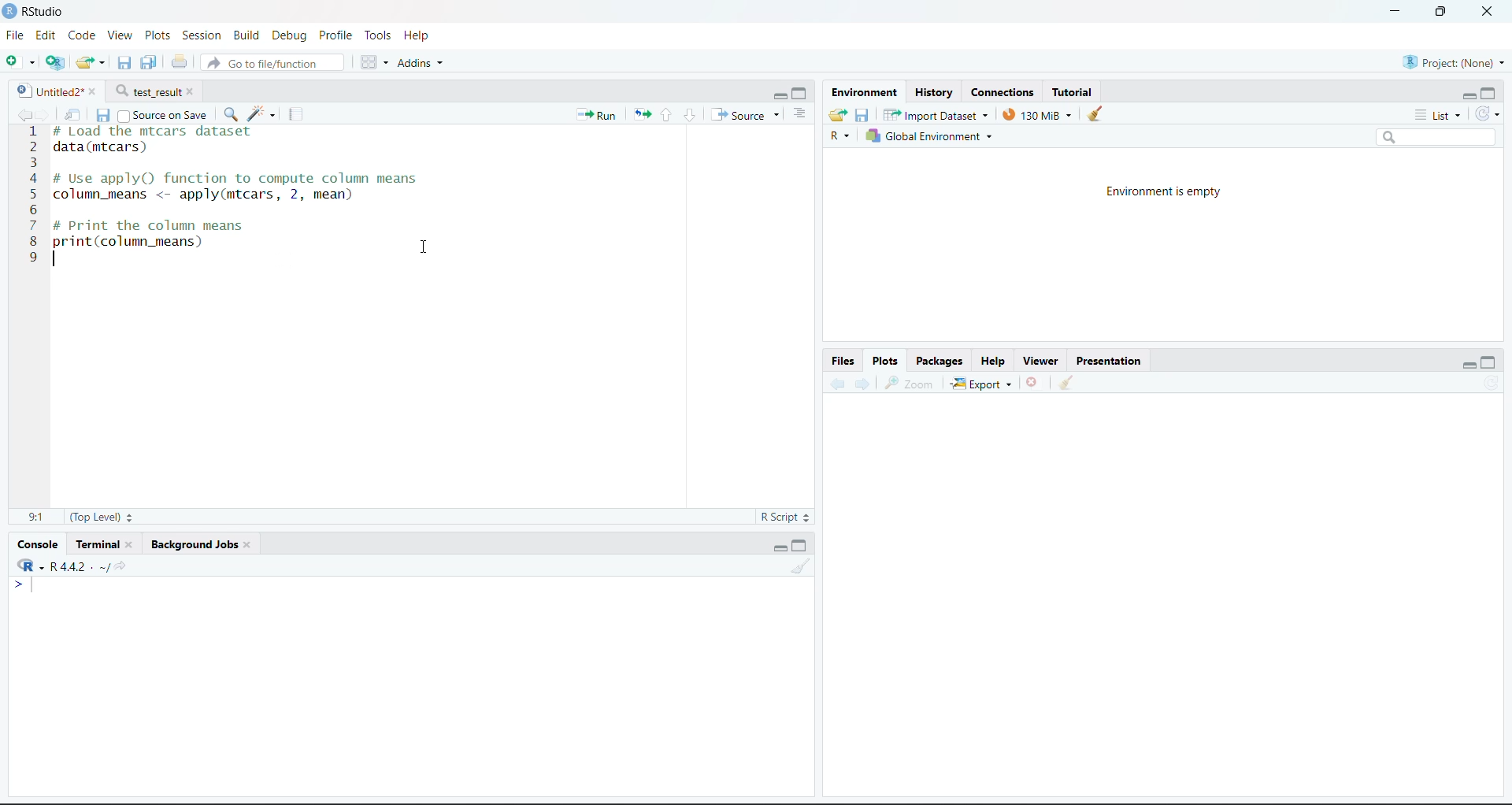 The height and width of the screenshot is (805, 1512). I want to click on Save current document (Ctrl + S), so click(103, 114).